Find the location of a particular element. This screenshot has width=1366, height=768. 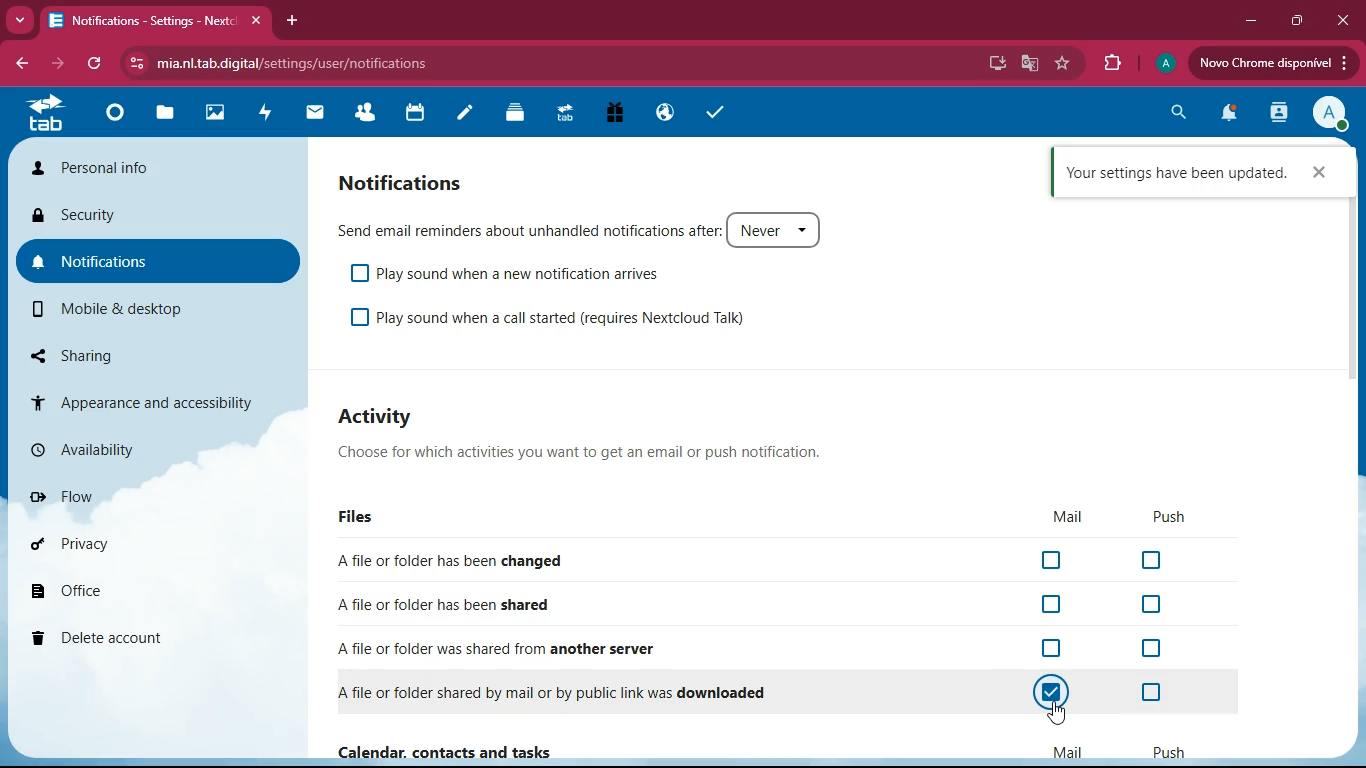

activity is located at coordinates (1278, 112).